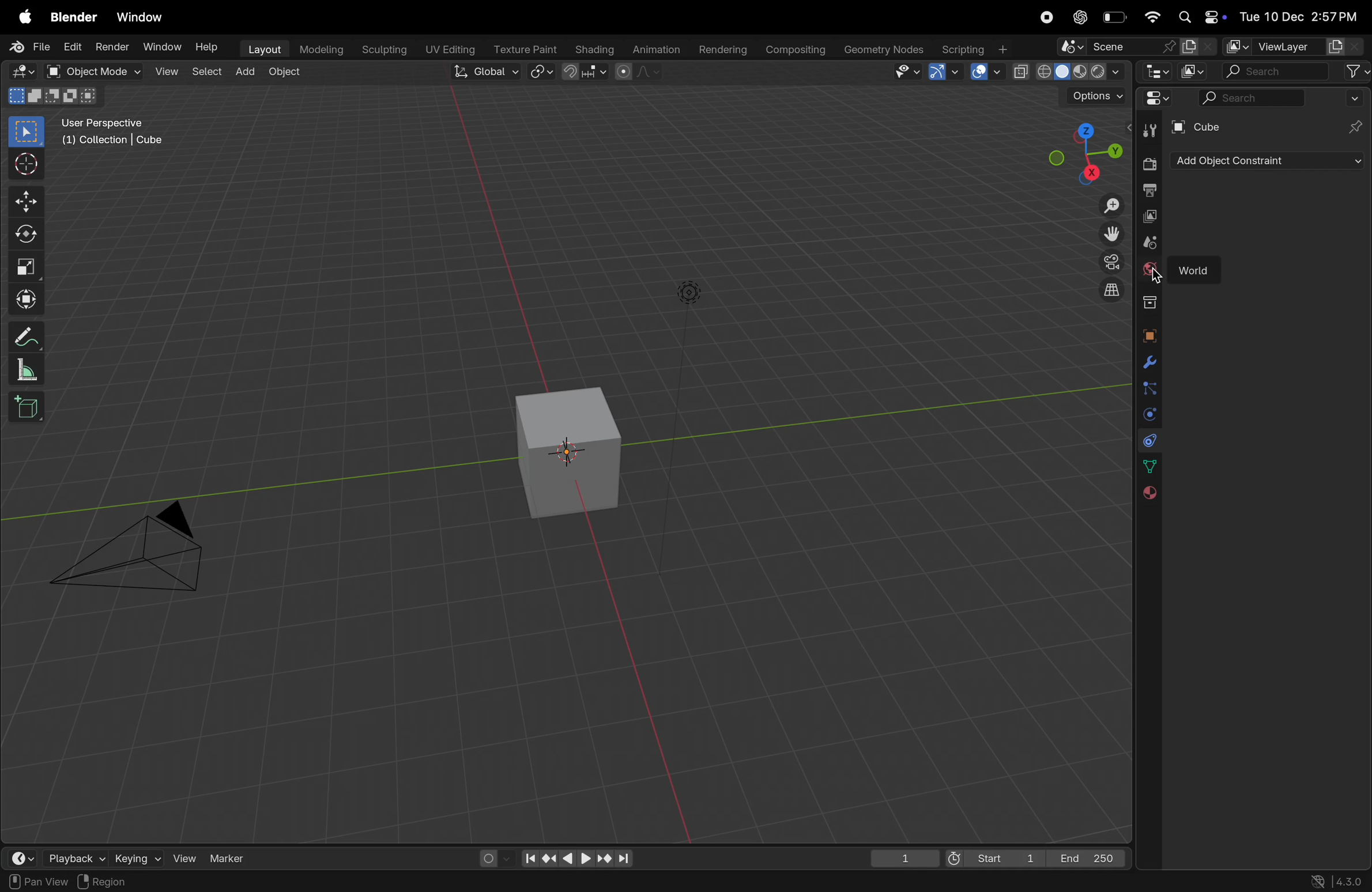  I want to click on Modelling, so click(322, 49).